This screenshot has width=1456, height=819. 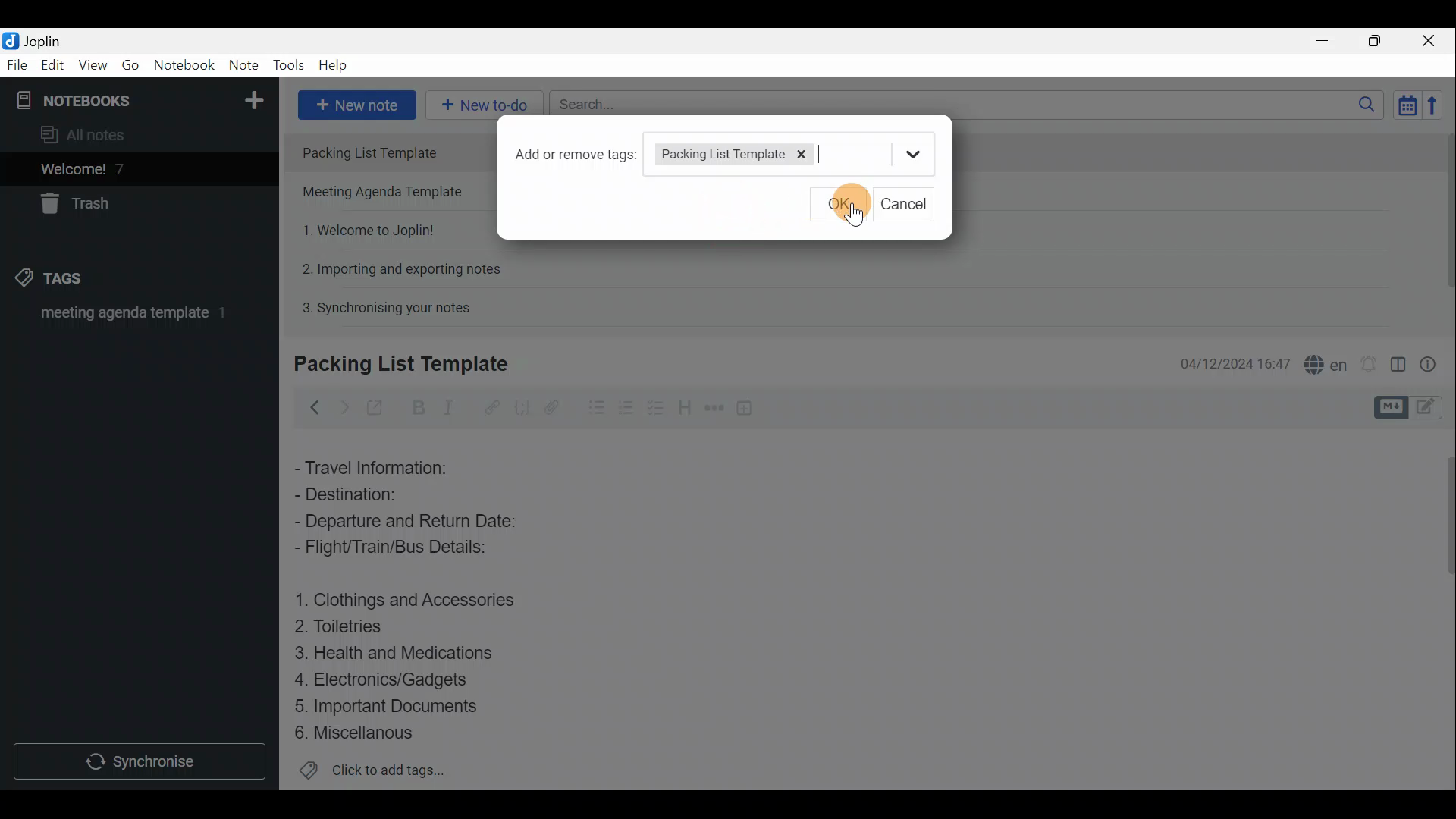 What do you see at coordinates (909, 204) in the screenshot?
I see `cancel` at bounding box center [909, 204].